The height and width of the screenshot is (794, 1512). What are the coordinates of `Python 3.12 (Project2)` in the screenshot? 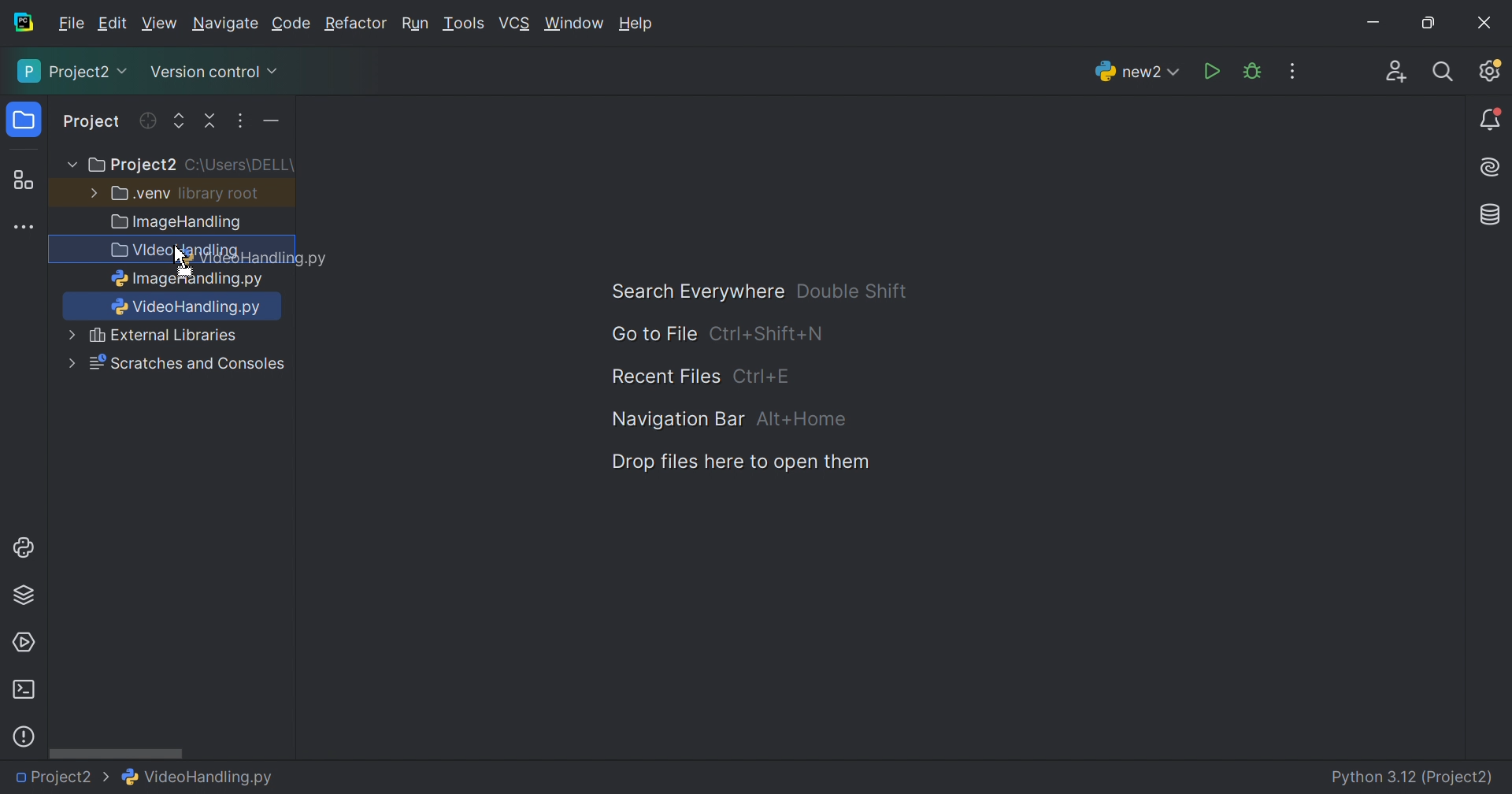 It's located at (1414, 778).